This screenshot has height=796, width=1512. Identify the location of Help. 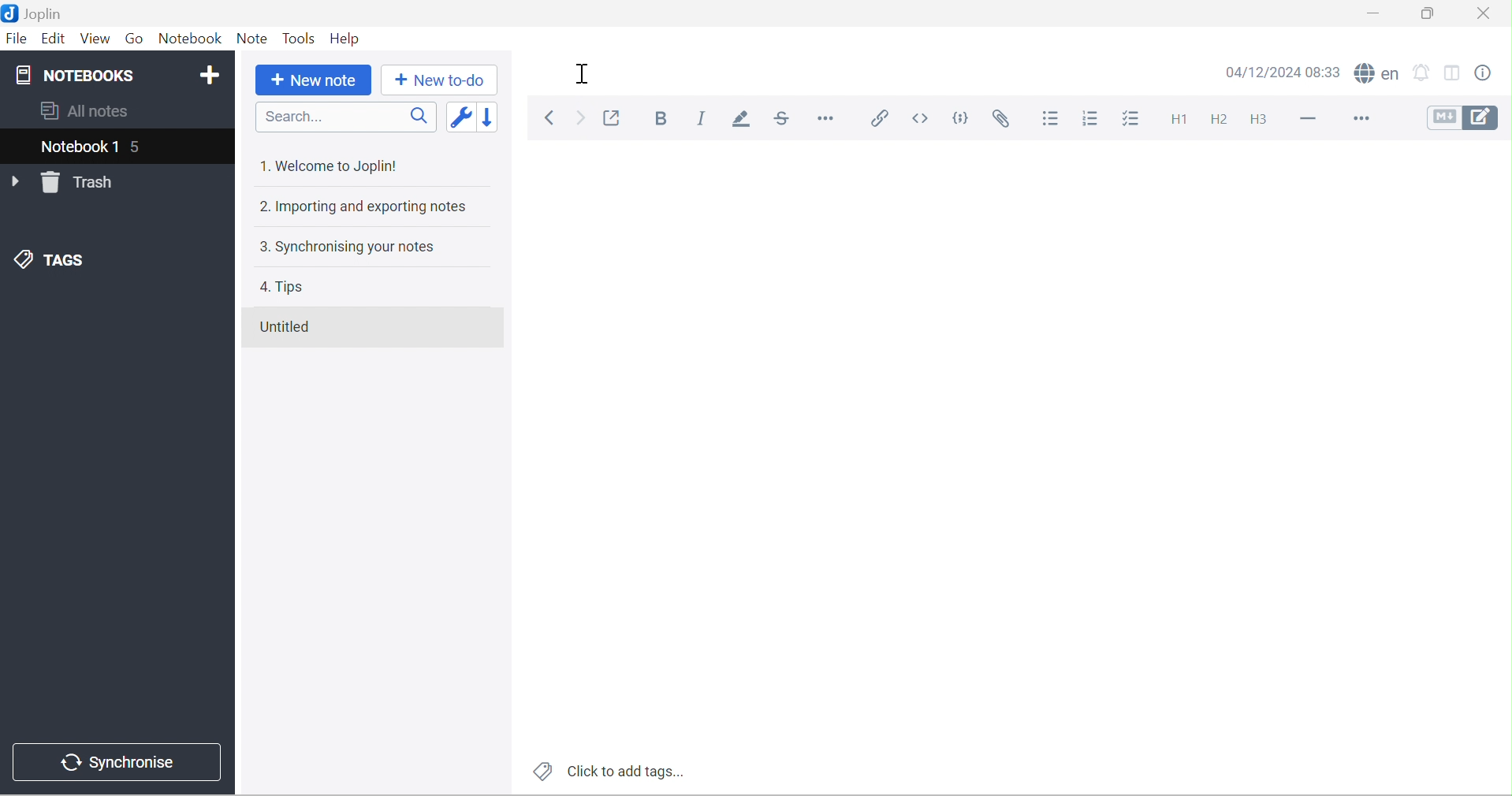
(346, 39).